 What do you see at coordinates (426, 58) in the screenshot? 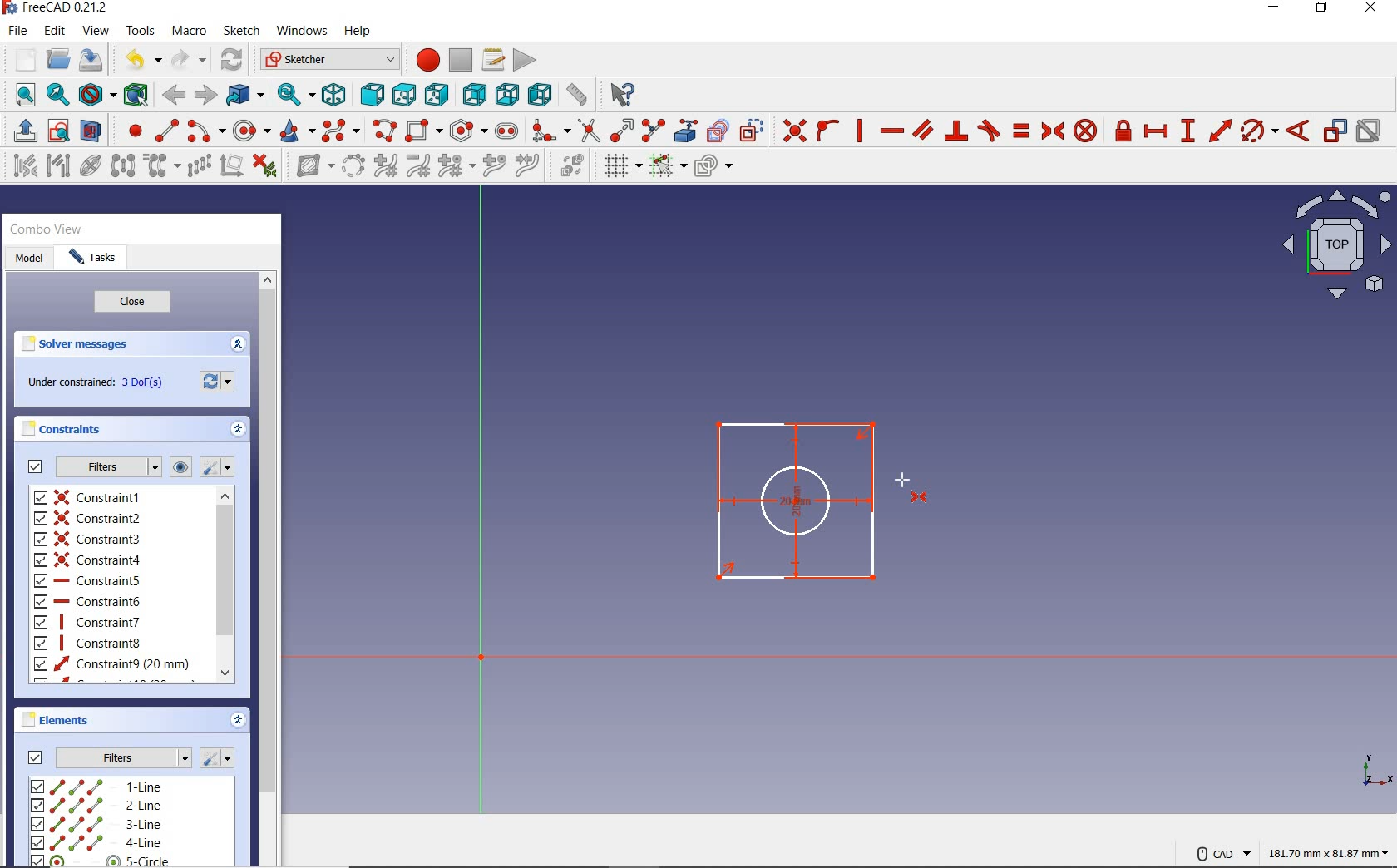
I see `macro recording` at bounding box center [426, 58].